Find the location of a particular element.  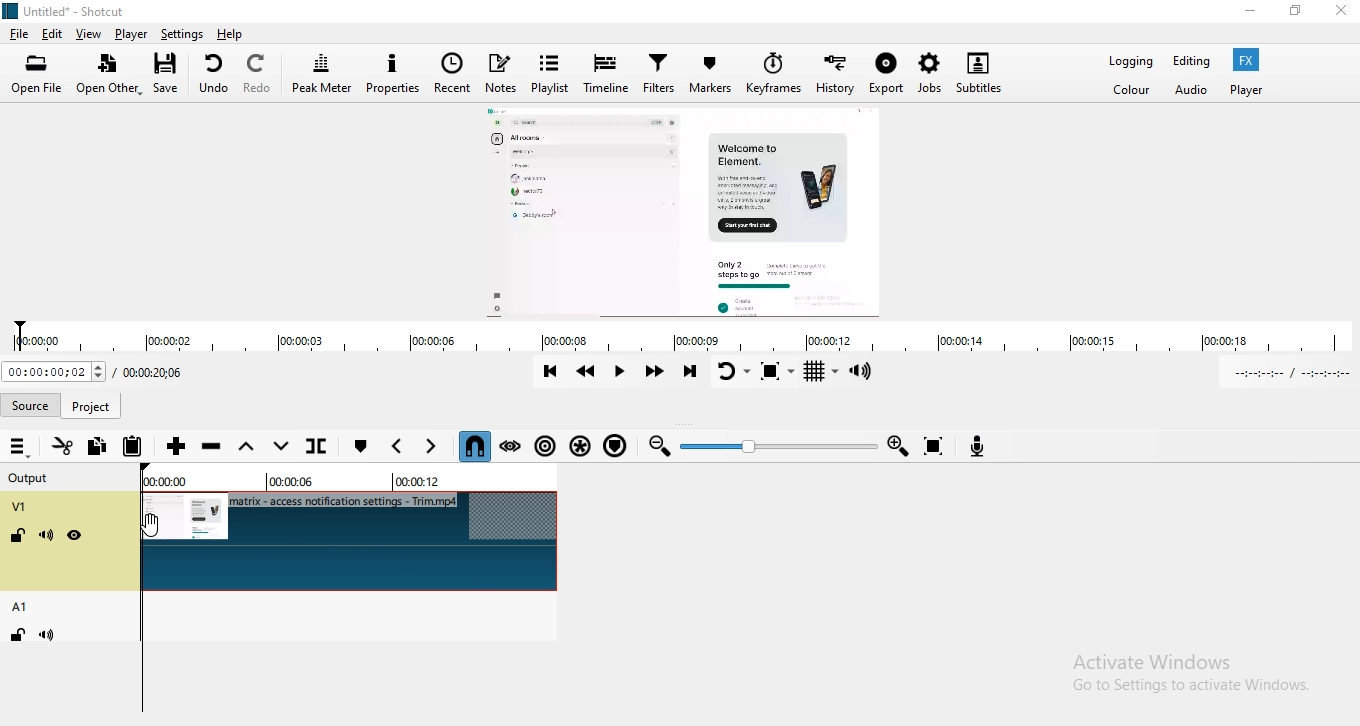

create/edit marker is located at coordinates (362, 445).